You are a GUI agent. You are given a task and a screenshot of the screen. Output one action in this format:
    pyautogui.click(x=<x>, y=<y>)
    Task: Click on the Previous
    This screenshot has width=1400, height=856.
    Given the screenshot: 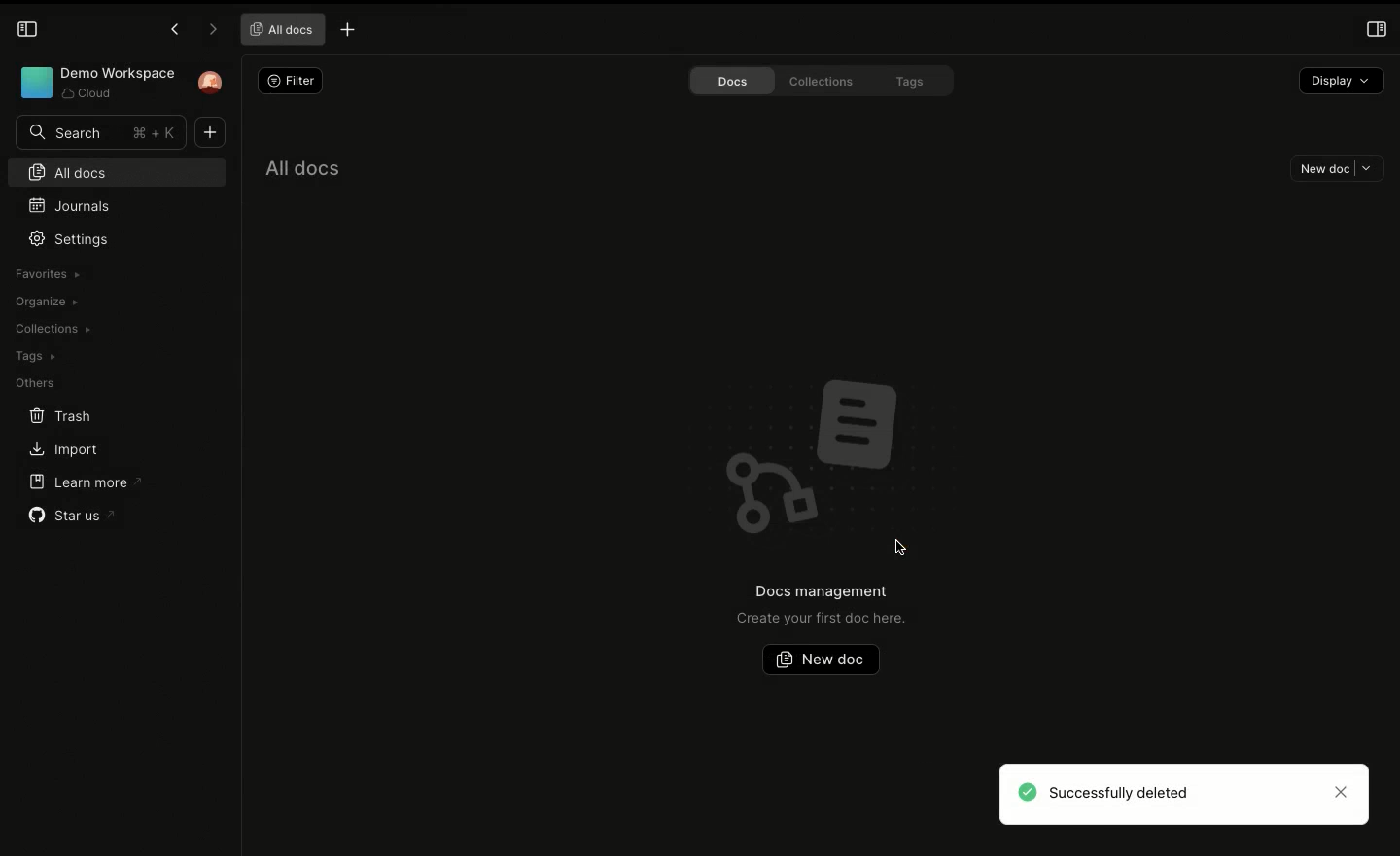 What is the action you would take?
    pyautogui.click(x=172, y=32)
    